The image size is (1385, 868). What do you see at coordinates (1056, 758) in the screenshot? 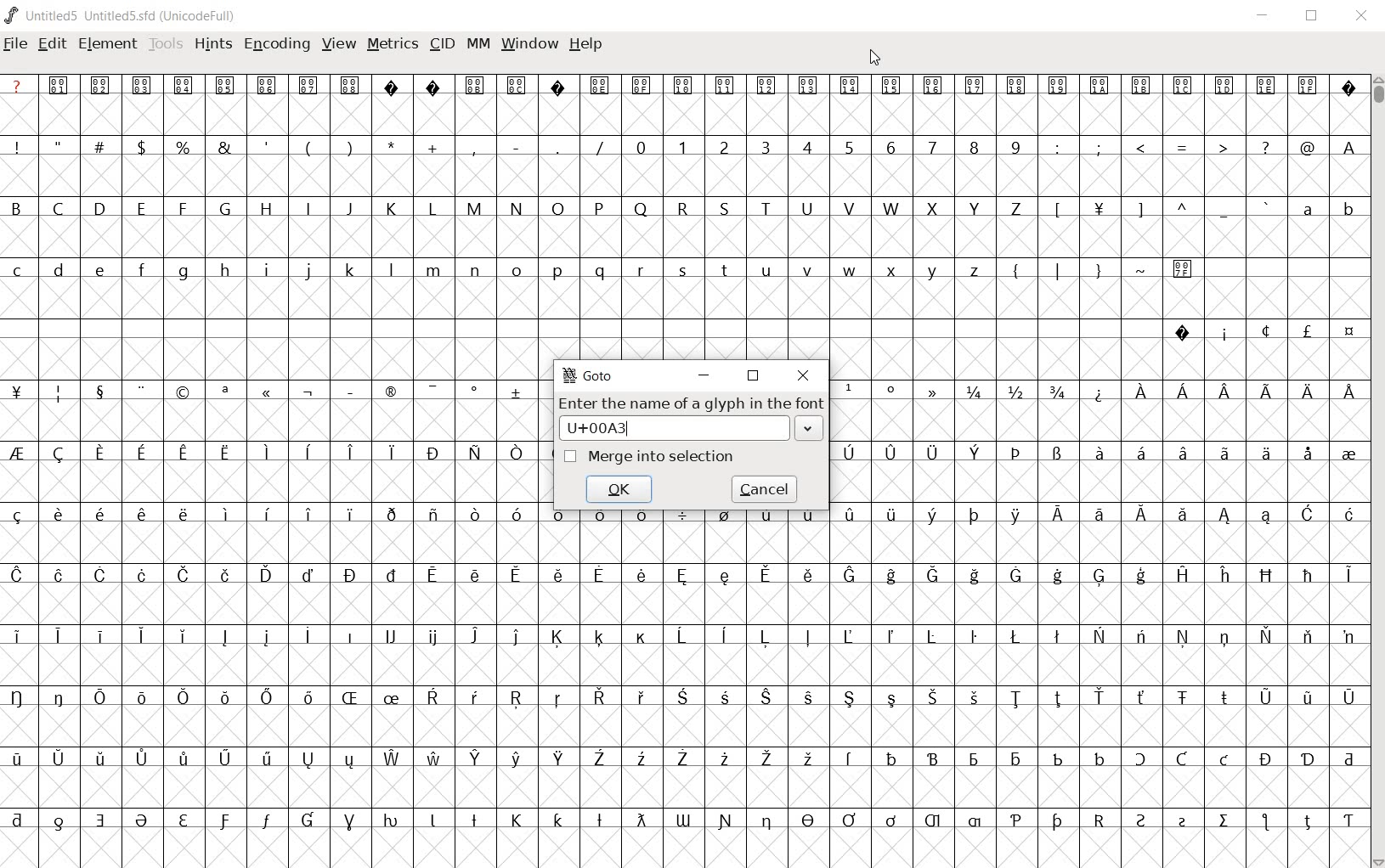
I see `Symbol` at bounding box center [1056, 758].